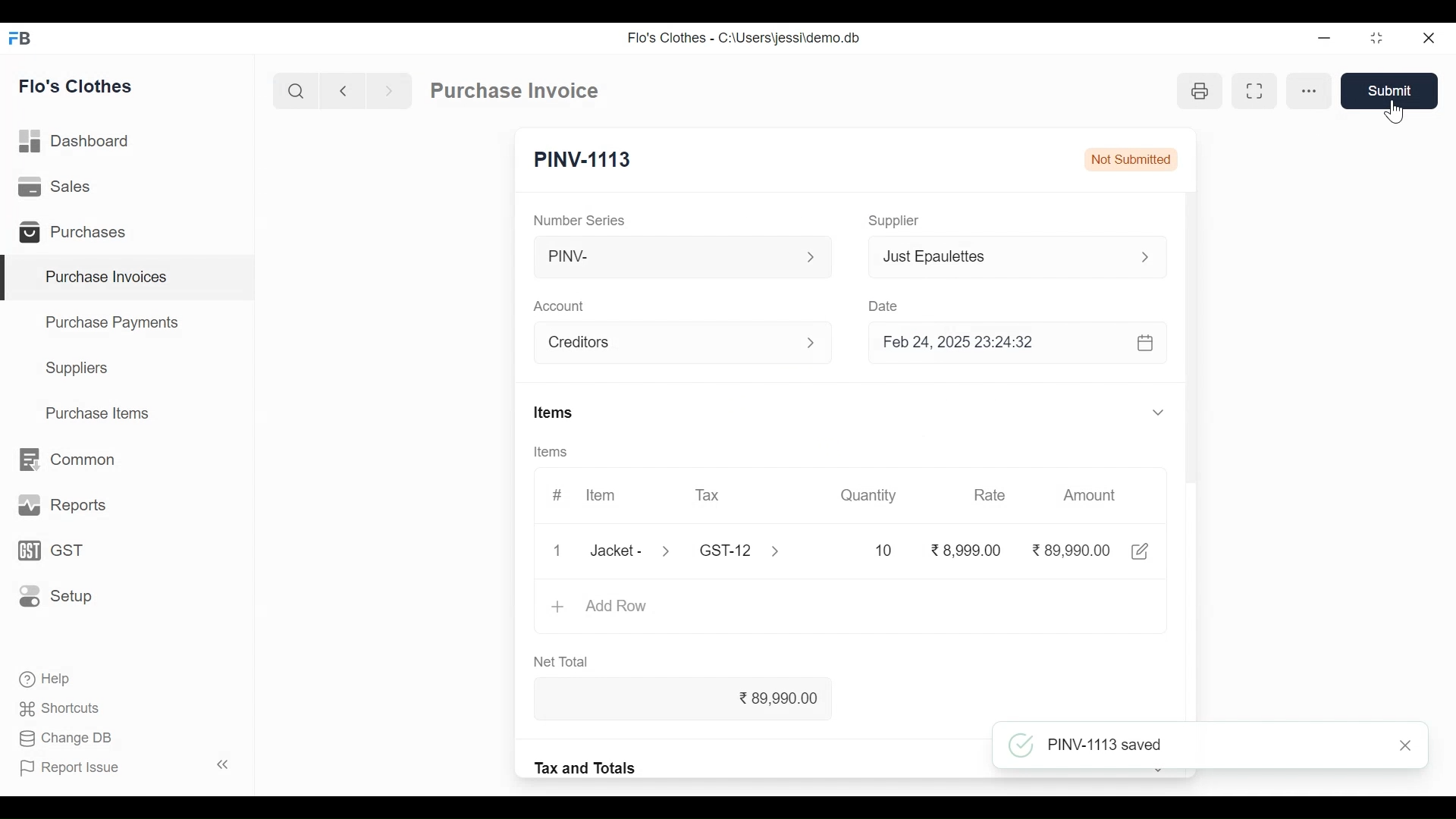 Image resolution: width=1456 pixels, height=819 pixels. What do you see at coordinates (130, 278) in the screenshot?
I see `Purchase Invoices` at bounding box center [130, 278].